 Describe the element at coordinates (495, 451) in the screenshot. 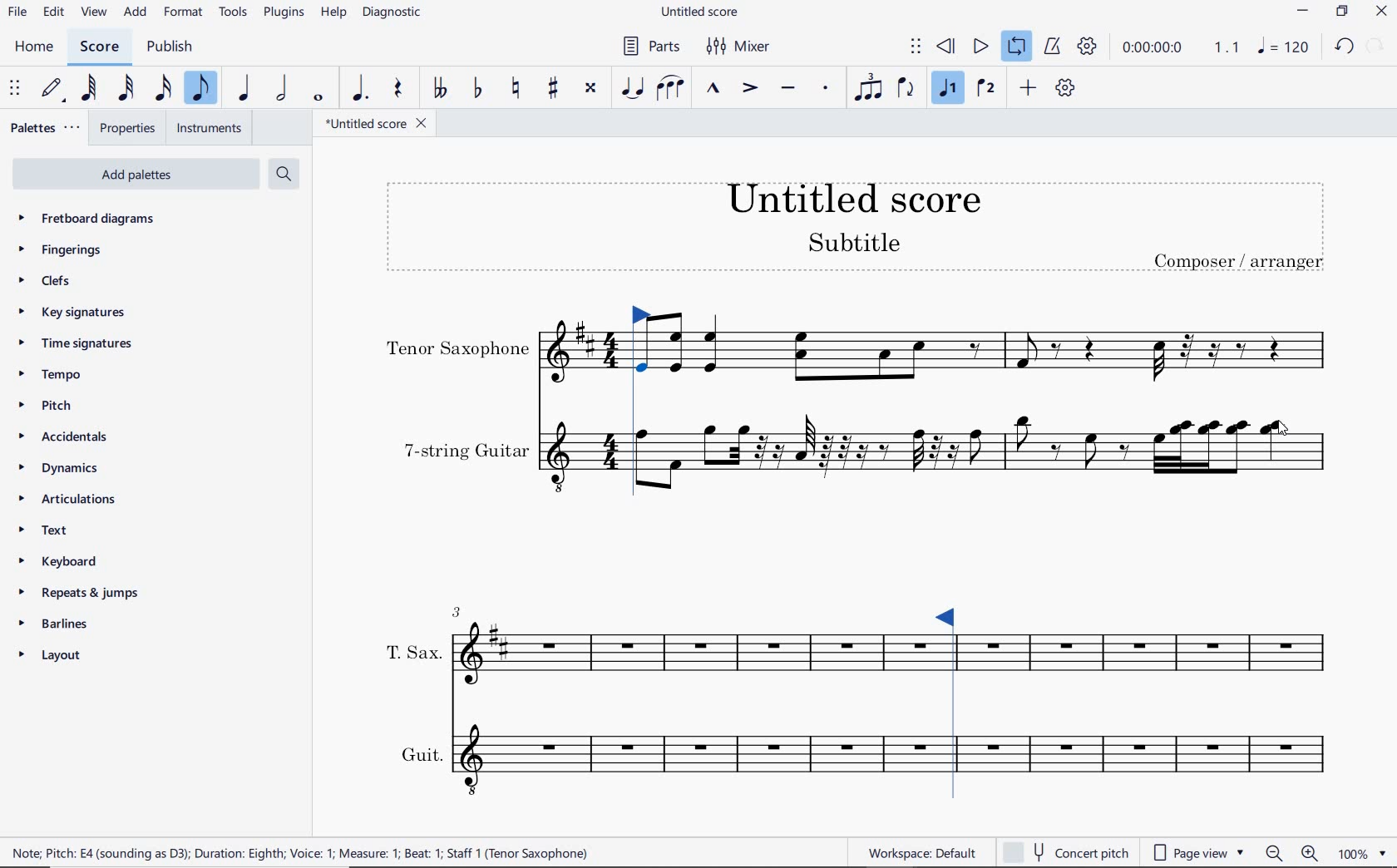

I see `INSTRUMENT: 7-STRING GUITAR` at that location.